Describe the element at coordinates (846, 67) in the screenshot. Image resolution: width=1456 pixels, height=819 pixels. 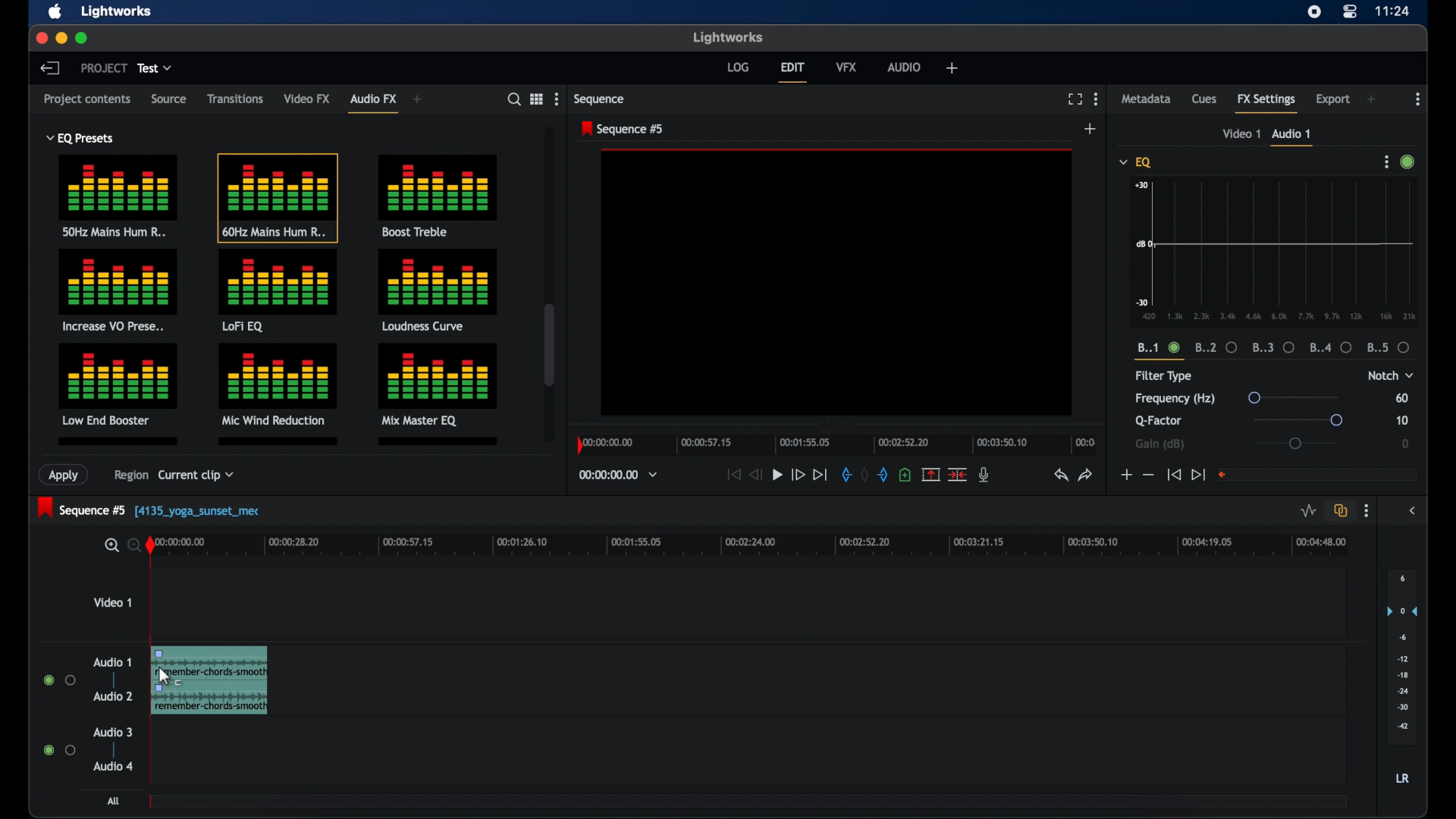
I see `vfx` at that location.